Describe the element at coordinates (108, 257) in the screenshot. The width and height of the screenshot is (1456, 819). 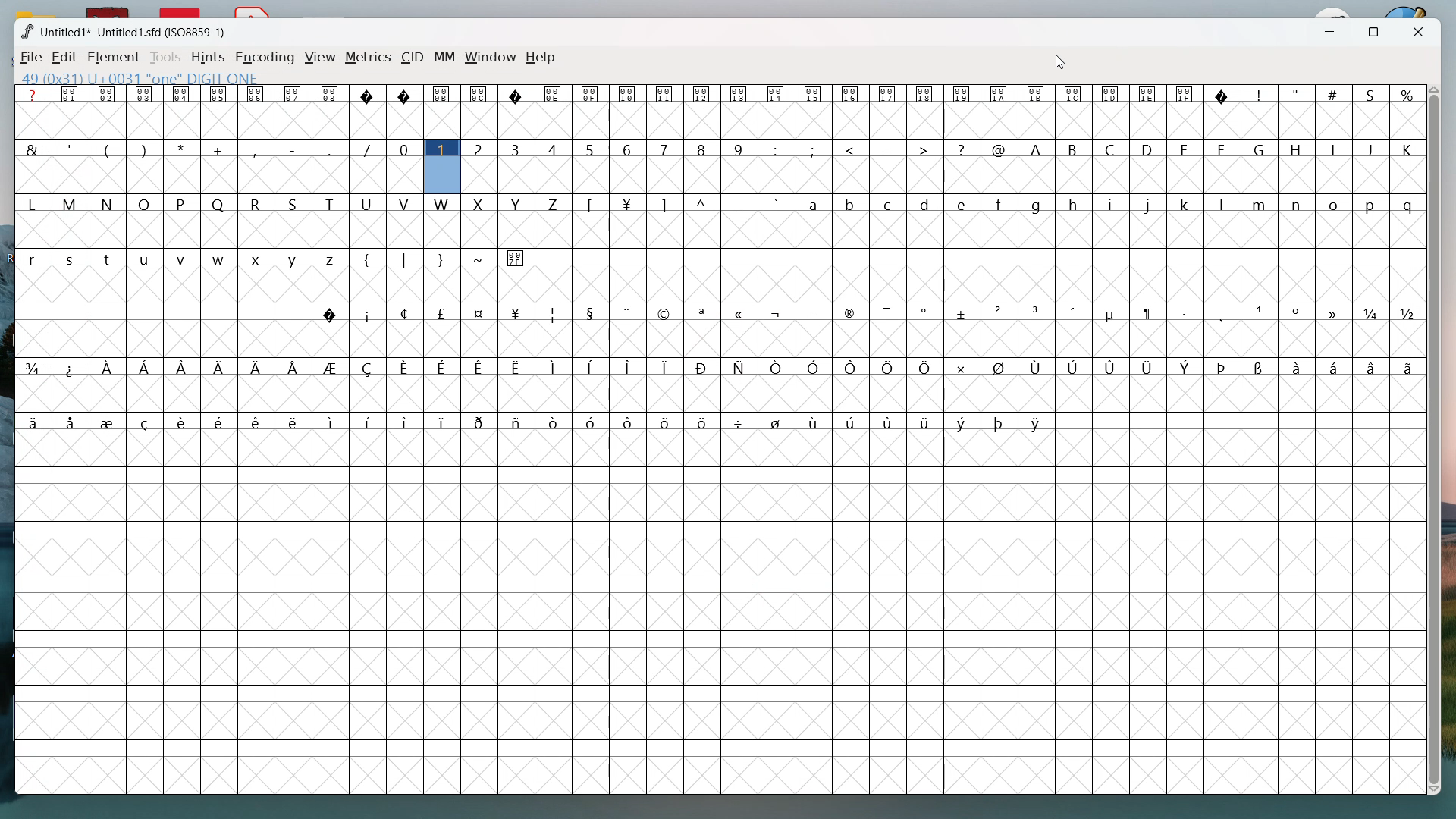
I see `t` at that location.